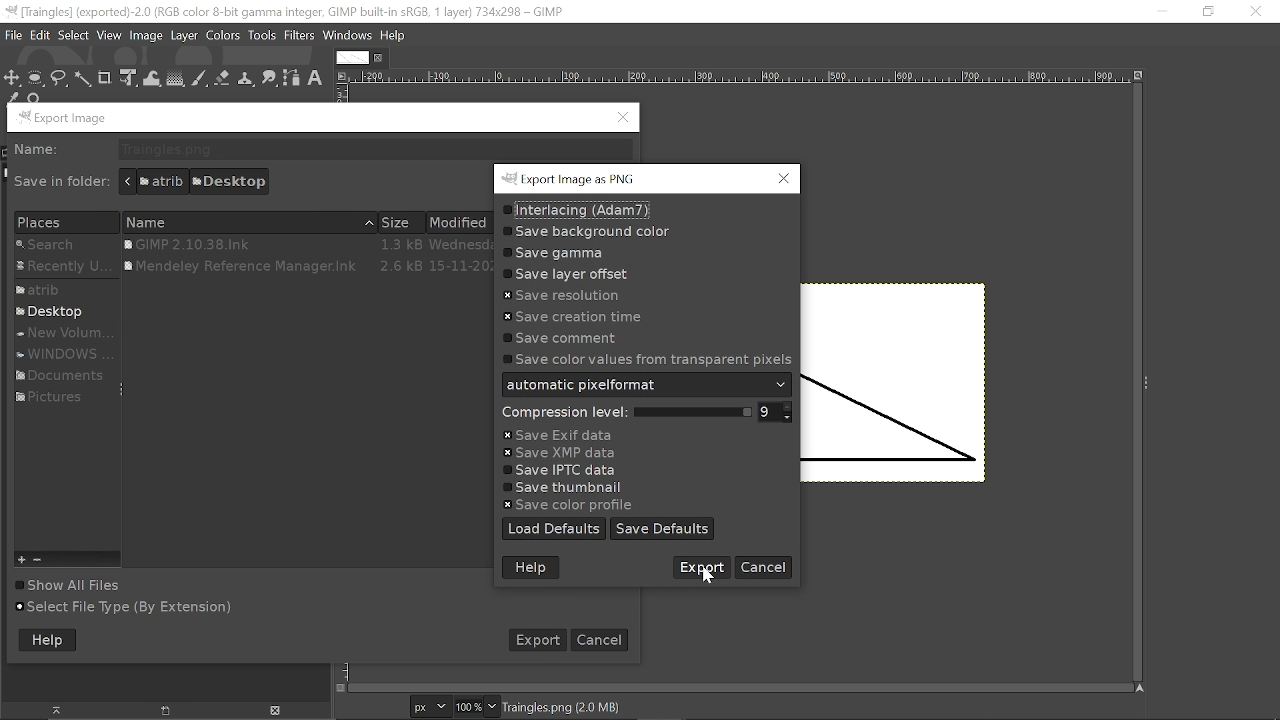 This screenshot has width=1280, height=720. I want to click on GIMP 2.10.38.Ink, so click(303, 244).